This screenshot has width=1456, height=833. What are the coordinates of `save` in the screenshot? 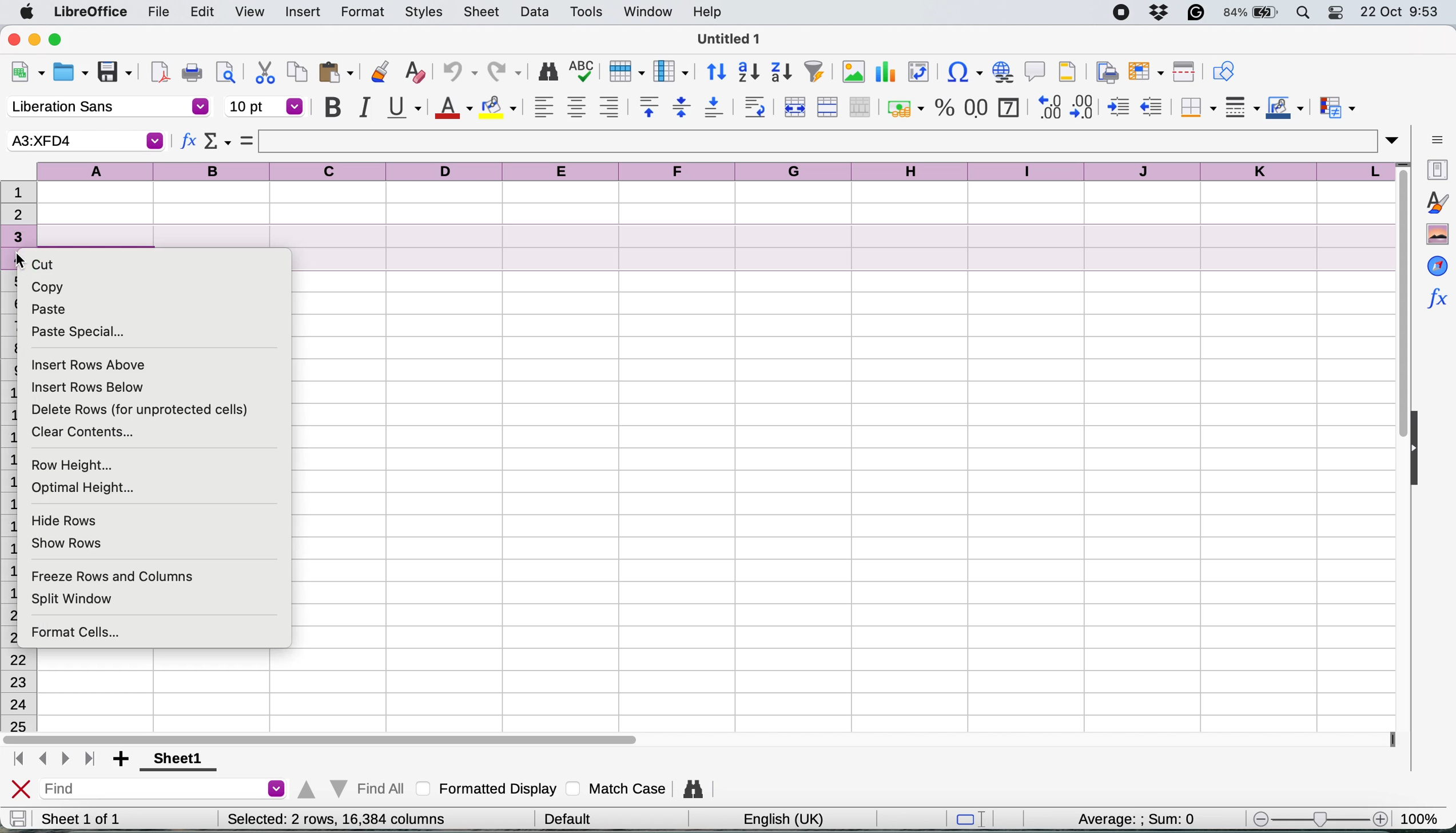 It's located at (116, 73).